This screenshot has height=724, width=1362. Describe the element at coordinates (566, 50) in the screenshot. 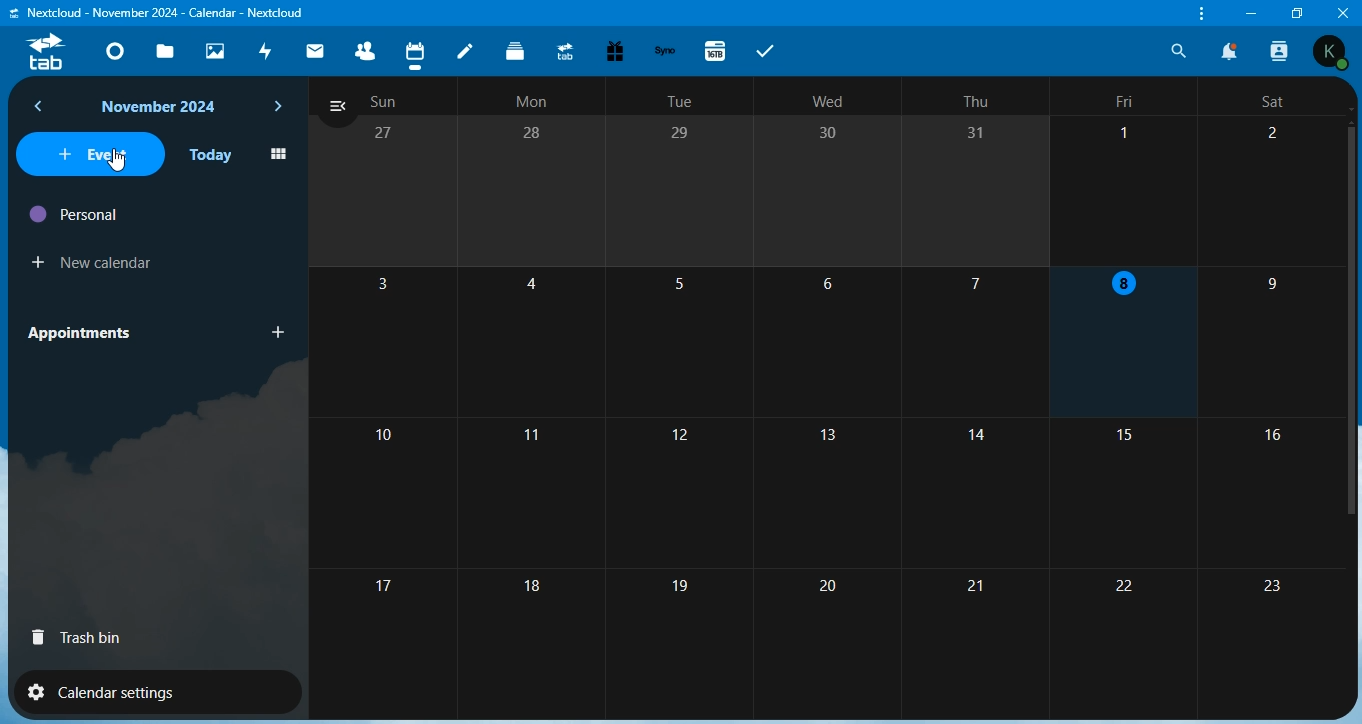

I see `upgrade` at that location.